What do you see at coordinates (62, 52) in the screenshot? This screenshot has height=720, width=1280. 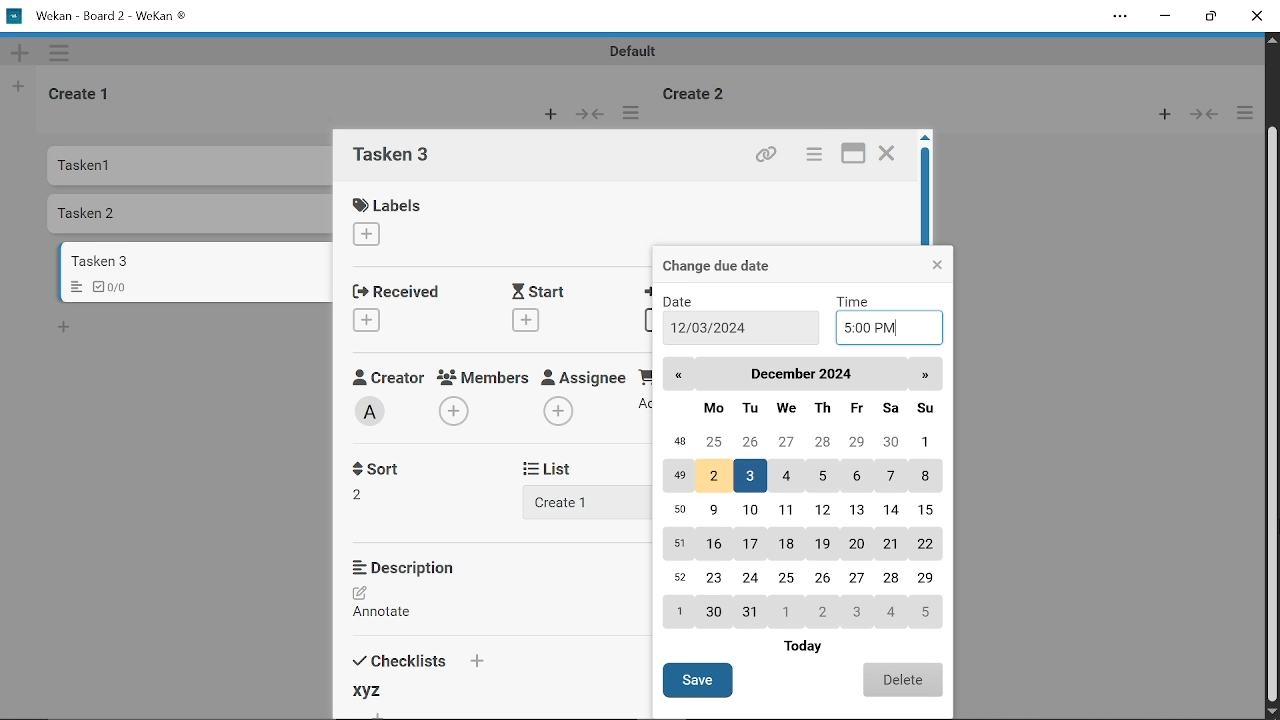 I see `More` at bounding box center [62, 52].